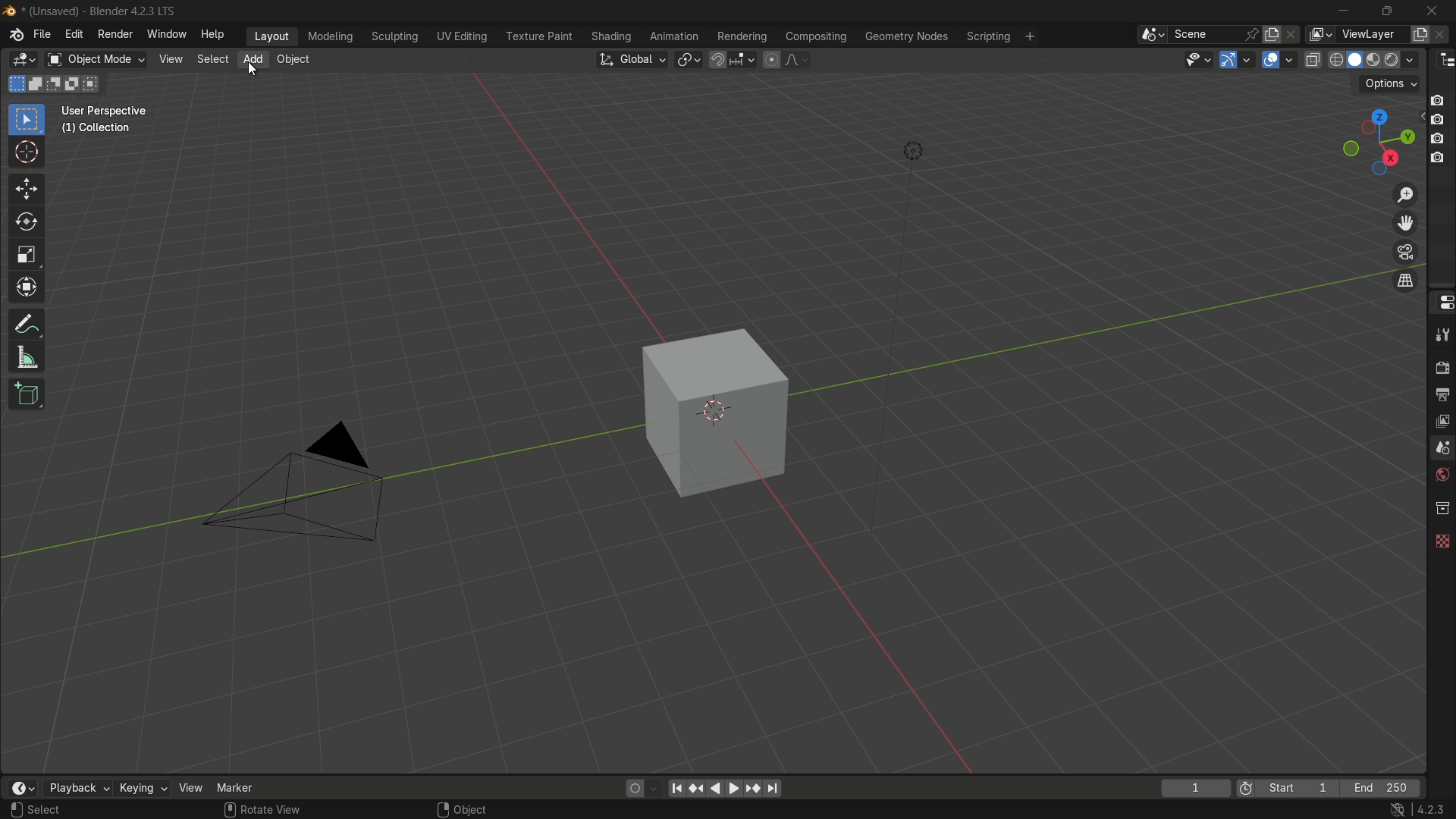 The image size is (1456, 819). Describe the element at coordinates (771, 60) in the screenshot. I see `proportional editing object` at that location.